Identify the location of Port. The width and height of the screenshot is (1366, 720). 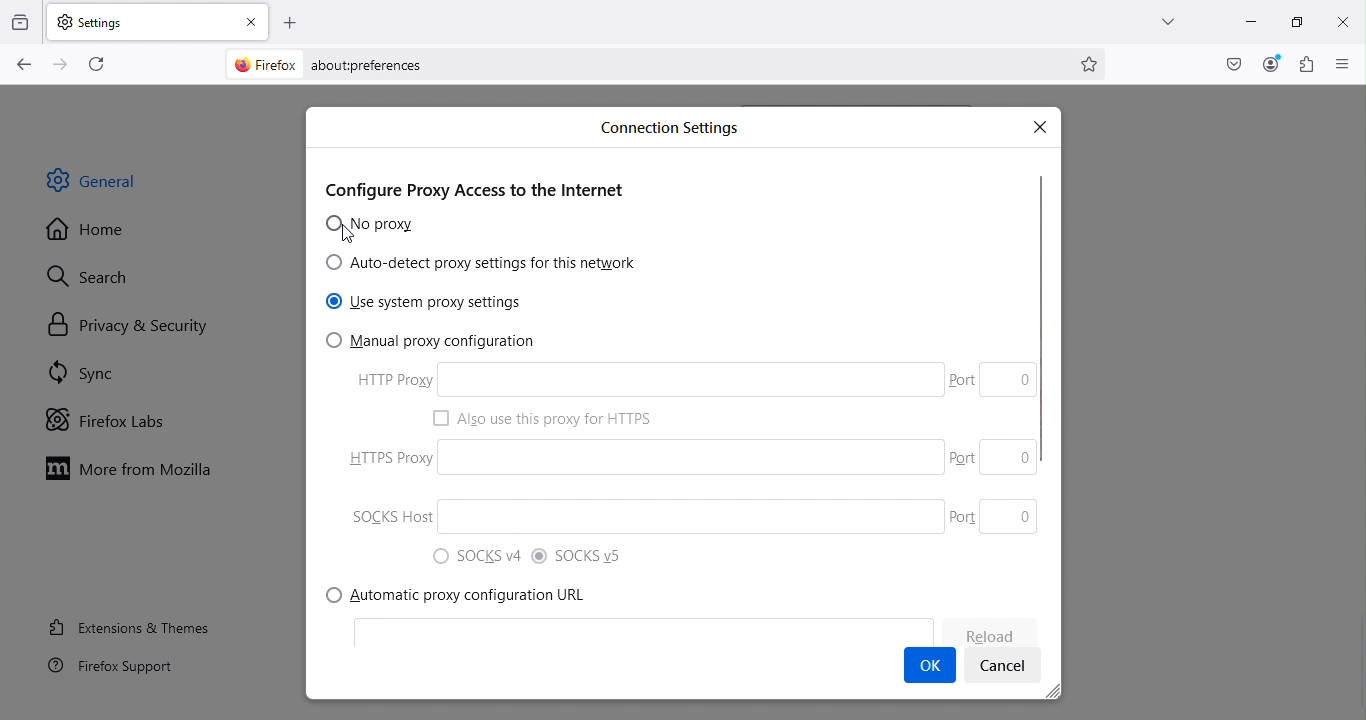
(1008, 380).